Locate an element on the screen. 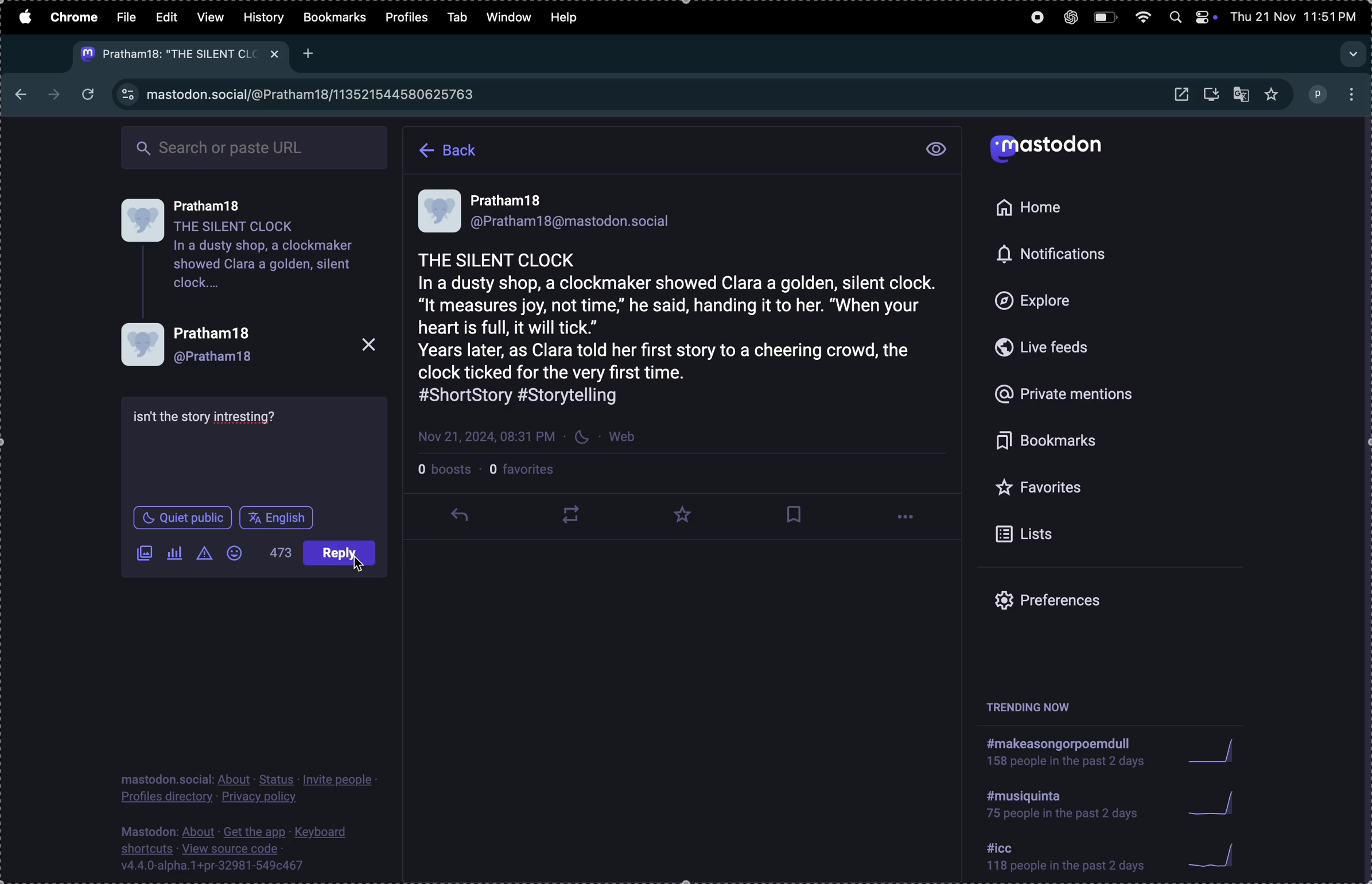 The height and width of the screenshot is (884, 1372). view is located at coordinates (209, 15).